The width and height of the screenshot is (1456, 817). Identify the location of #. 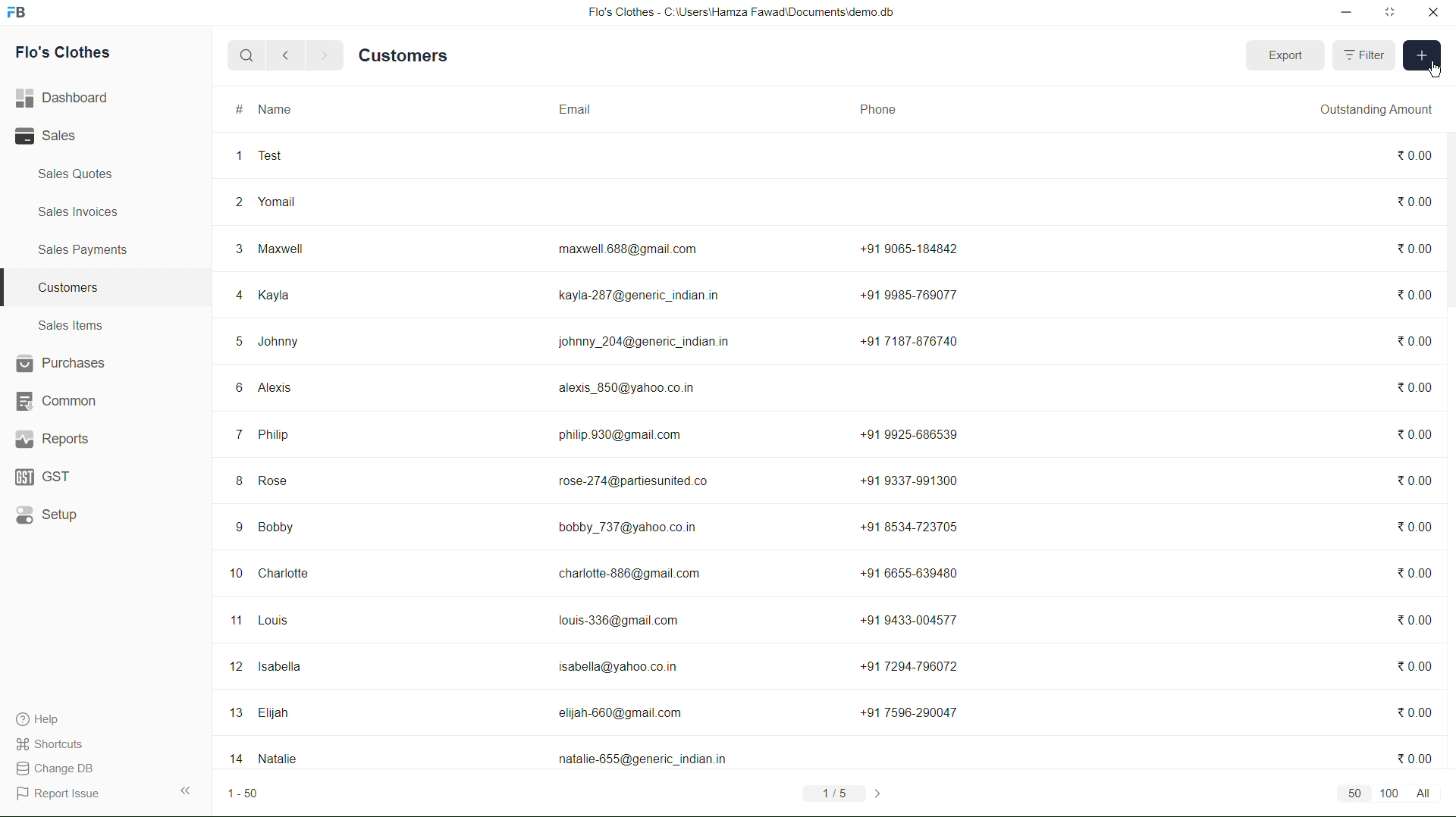
(233, 109).